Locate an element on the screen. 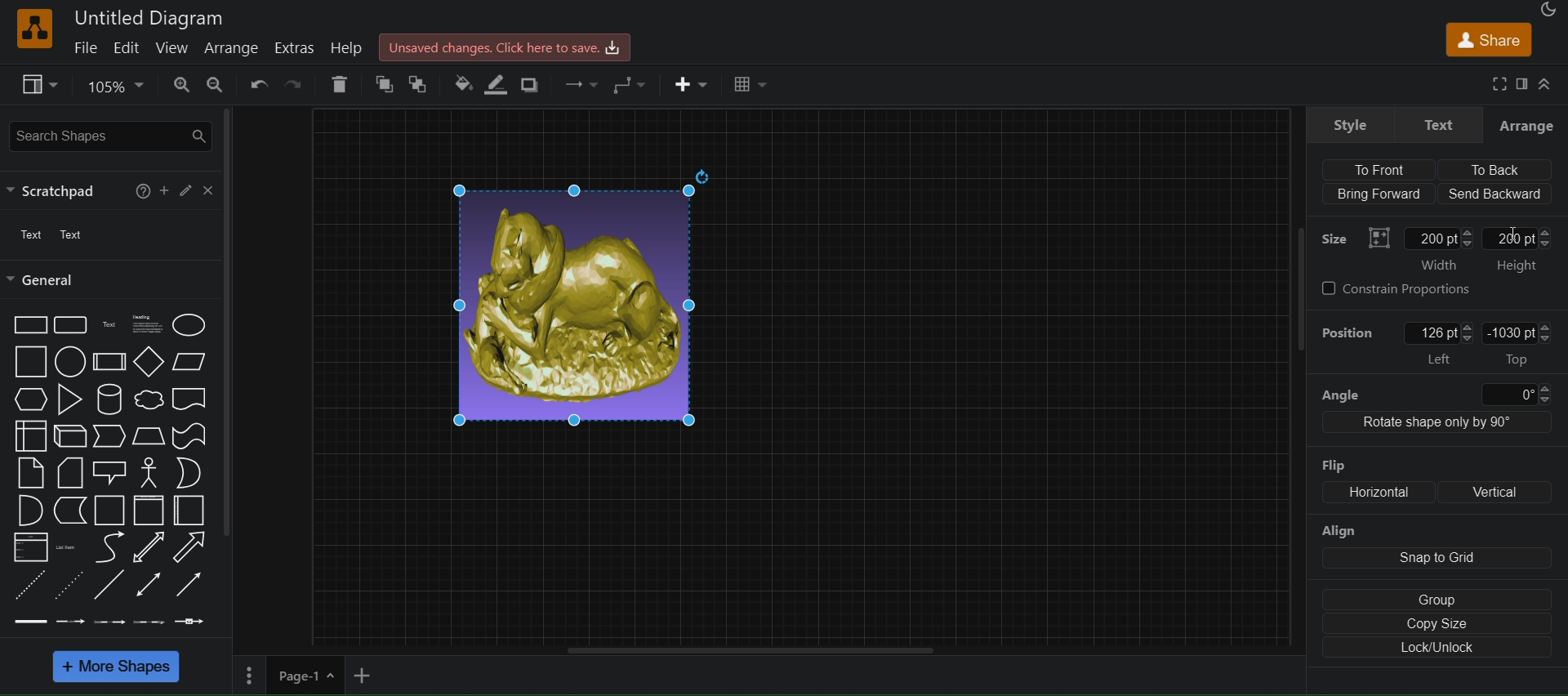  shadow is located at coordinates (536, 84).